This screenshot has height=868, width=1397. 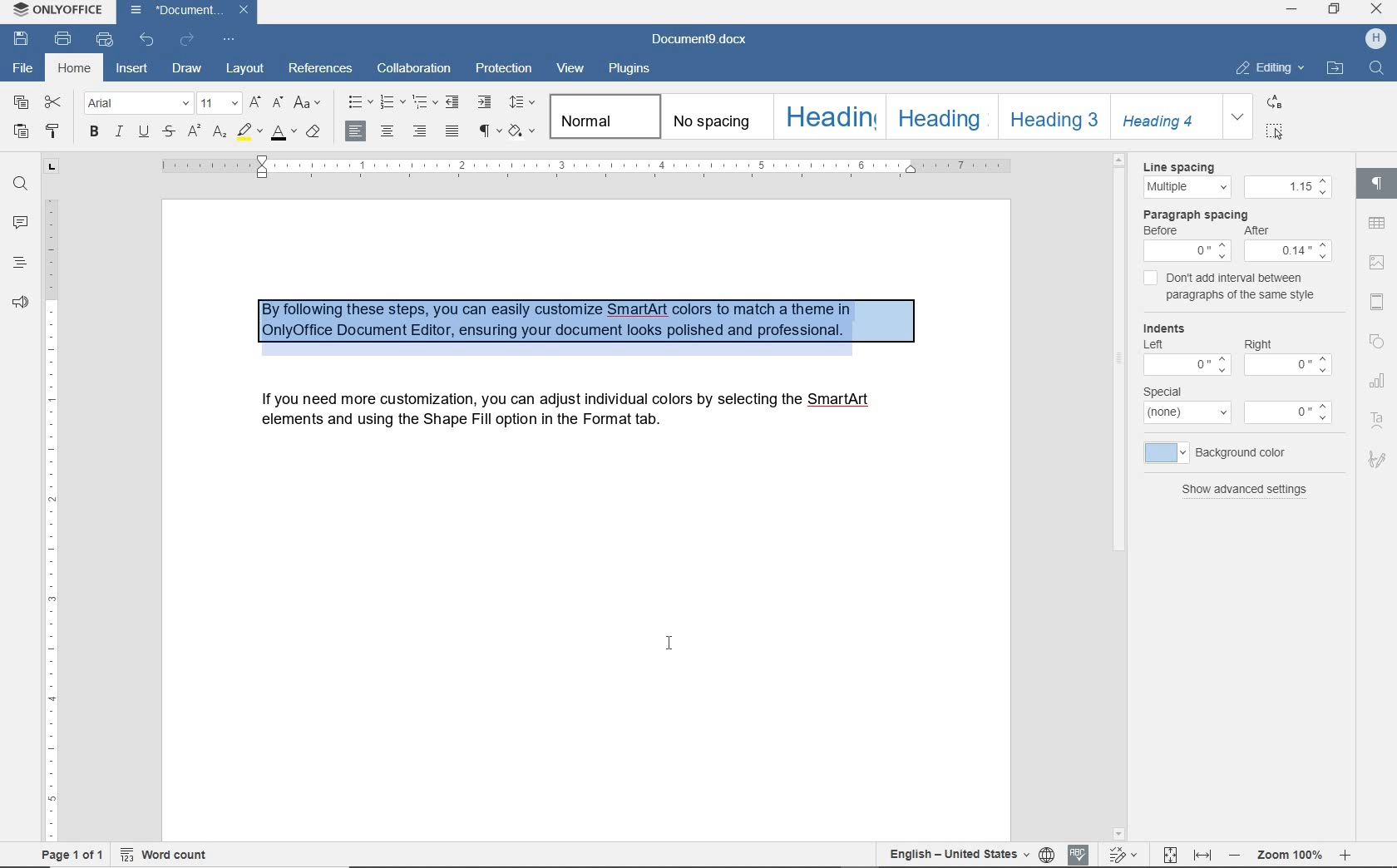 I want to click on tab stop, so click(x=52, y=165).